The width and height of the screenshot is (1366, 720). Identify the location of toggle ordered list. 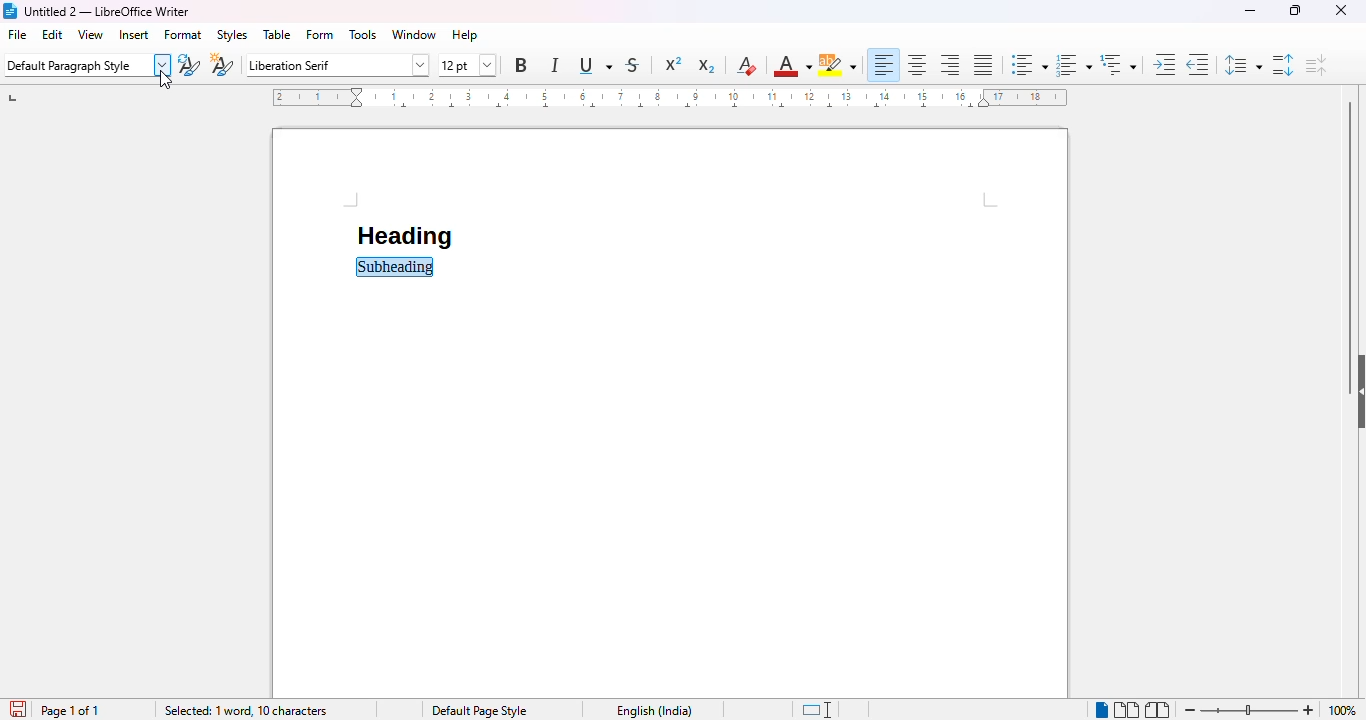
(1074, 65).